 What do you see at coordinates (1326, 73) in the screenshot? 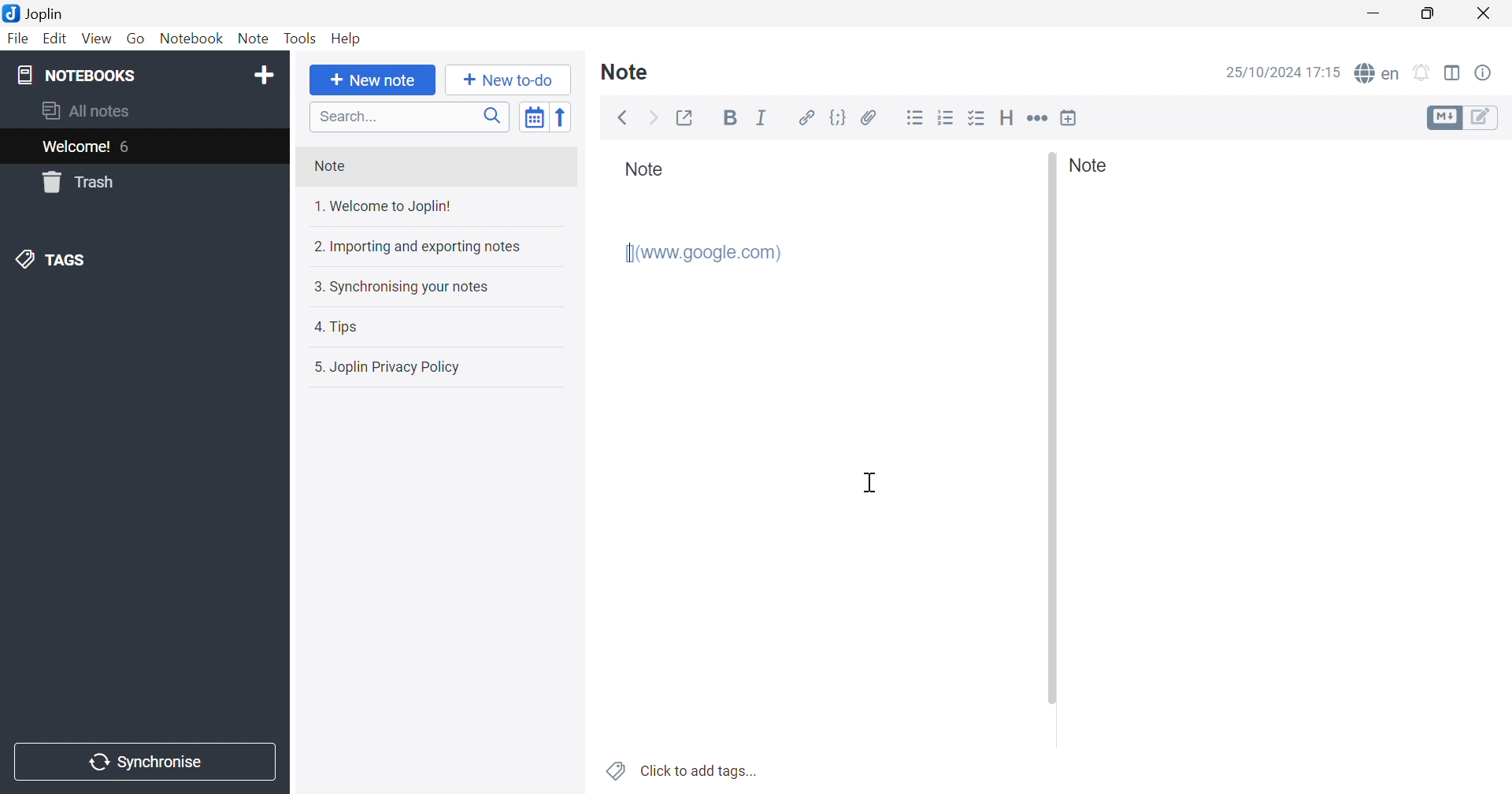
I see `17:14` at bounding box center [1326, 73].